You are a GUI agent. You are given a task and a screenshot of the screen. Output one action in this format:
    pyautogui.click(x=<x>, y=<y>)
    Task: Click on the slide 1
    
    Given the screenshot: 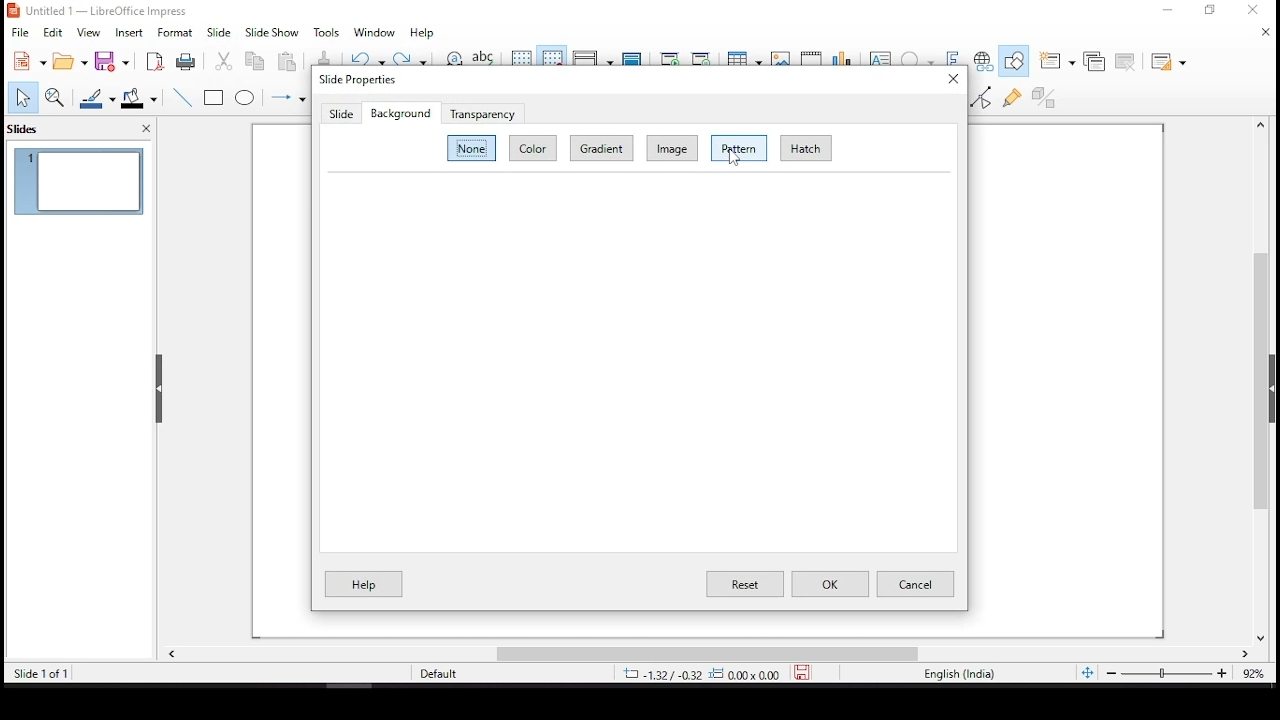 What is the action you would take?
    pyautogui.click(x=79, y=181)
    